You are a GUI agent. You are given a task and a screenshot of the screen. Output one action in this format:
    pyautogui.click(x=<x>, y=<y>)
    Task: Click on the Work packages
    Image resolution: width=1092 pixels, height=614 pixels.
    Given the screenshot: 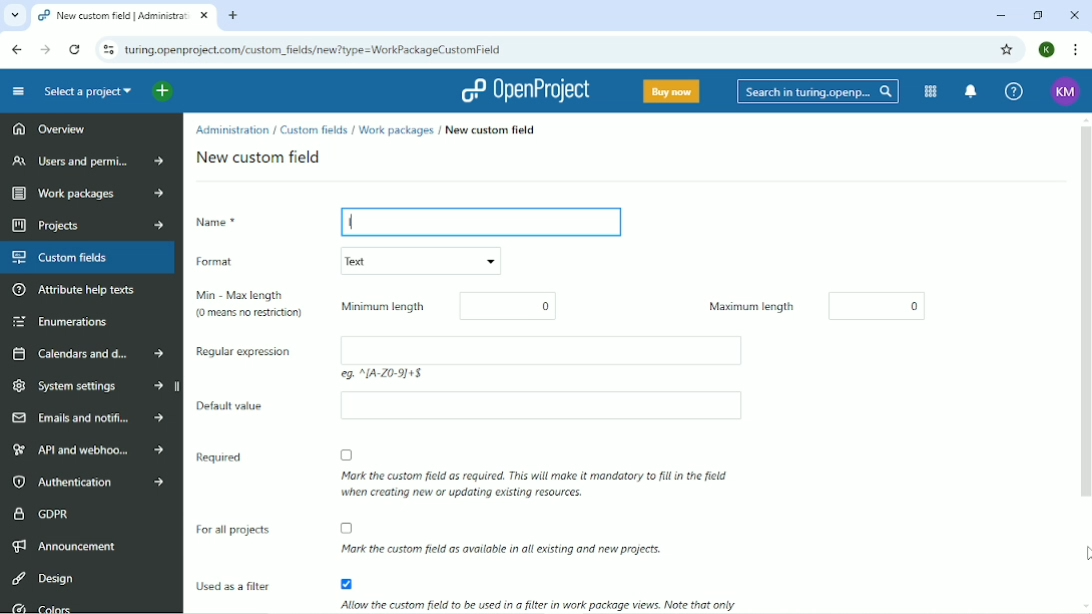 What is the action you would take?
    pyautogui.click(x=85, y=195)
    